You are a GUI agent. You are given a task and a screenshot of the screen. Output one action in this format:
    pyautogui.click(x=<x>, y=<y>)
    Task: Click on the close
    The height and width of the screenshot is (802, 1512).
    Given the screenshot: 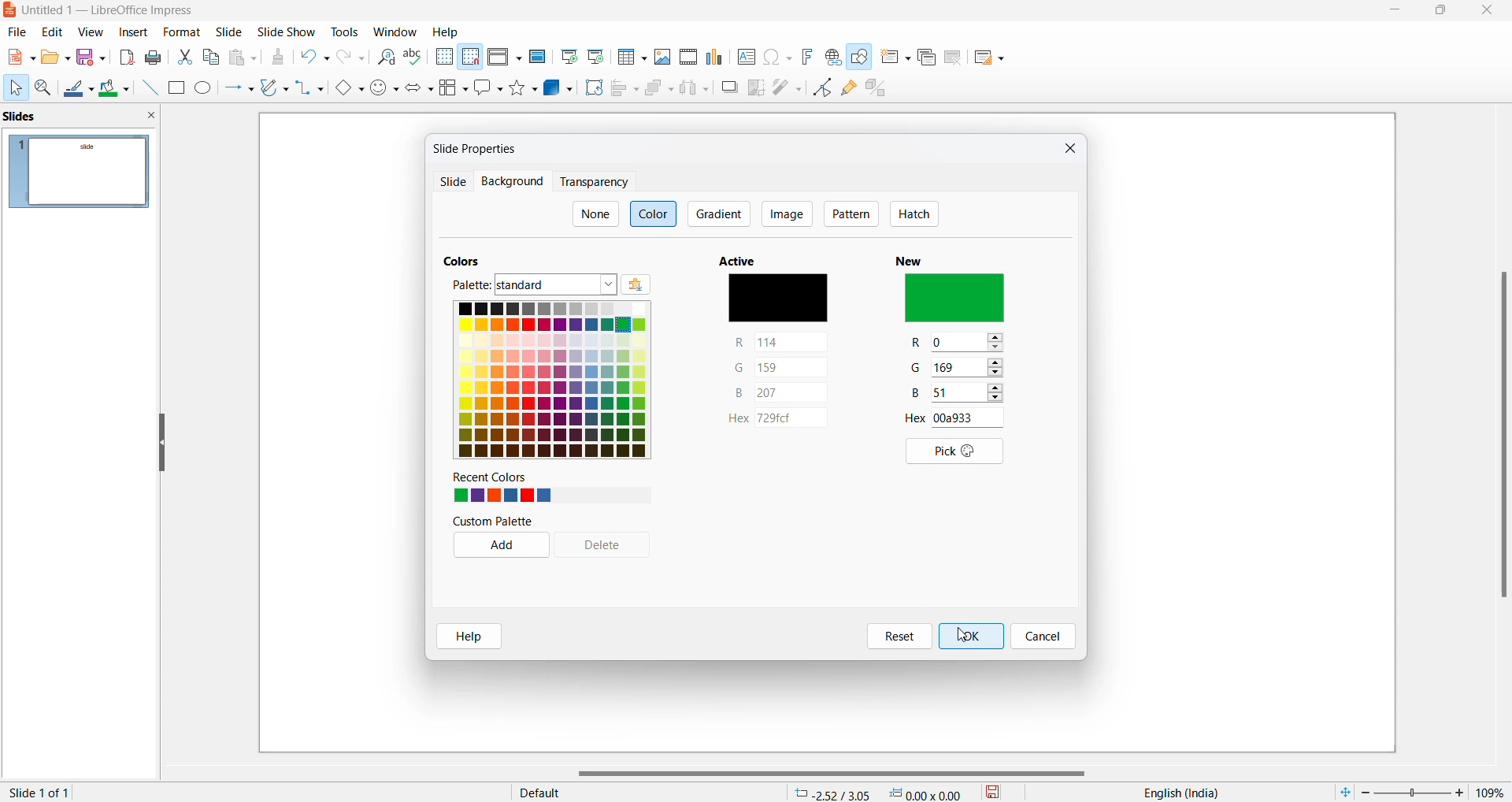 What is the action you would take?
    pyautogui.click(x=1067, y=150)
    